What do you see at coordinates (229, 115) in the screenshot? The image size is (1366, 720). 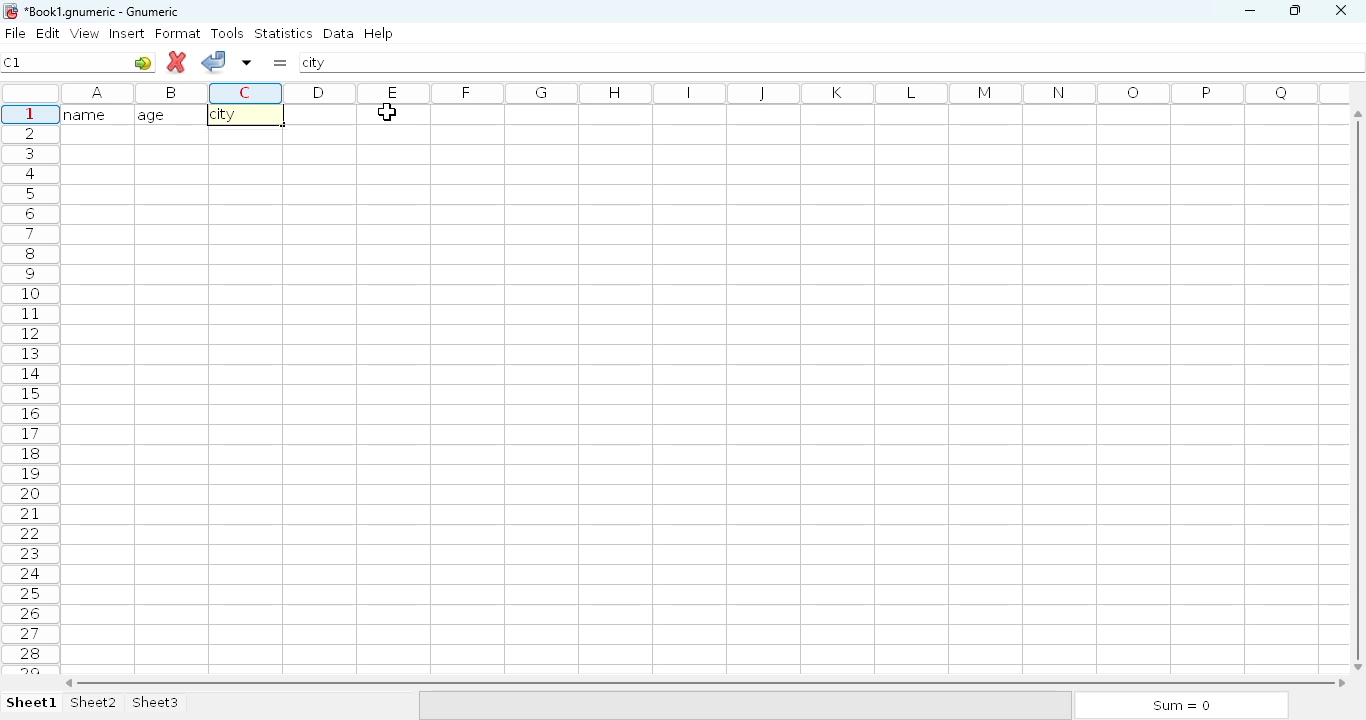 I see `city (heading)` at bounding box center [229, 115].